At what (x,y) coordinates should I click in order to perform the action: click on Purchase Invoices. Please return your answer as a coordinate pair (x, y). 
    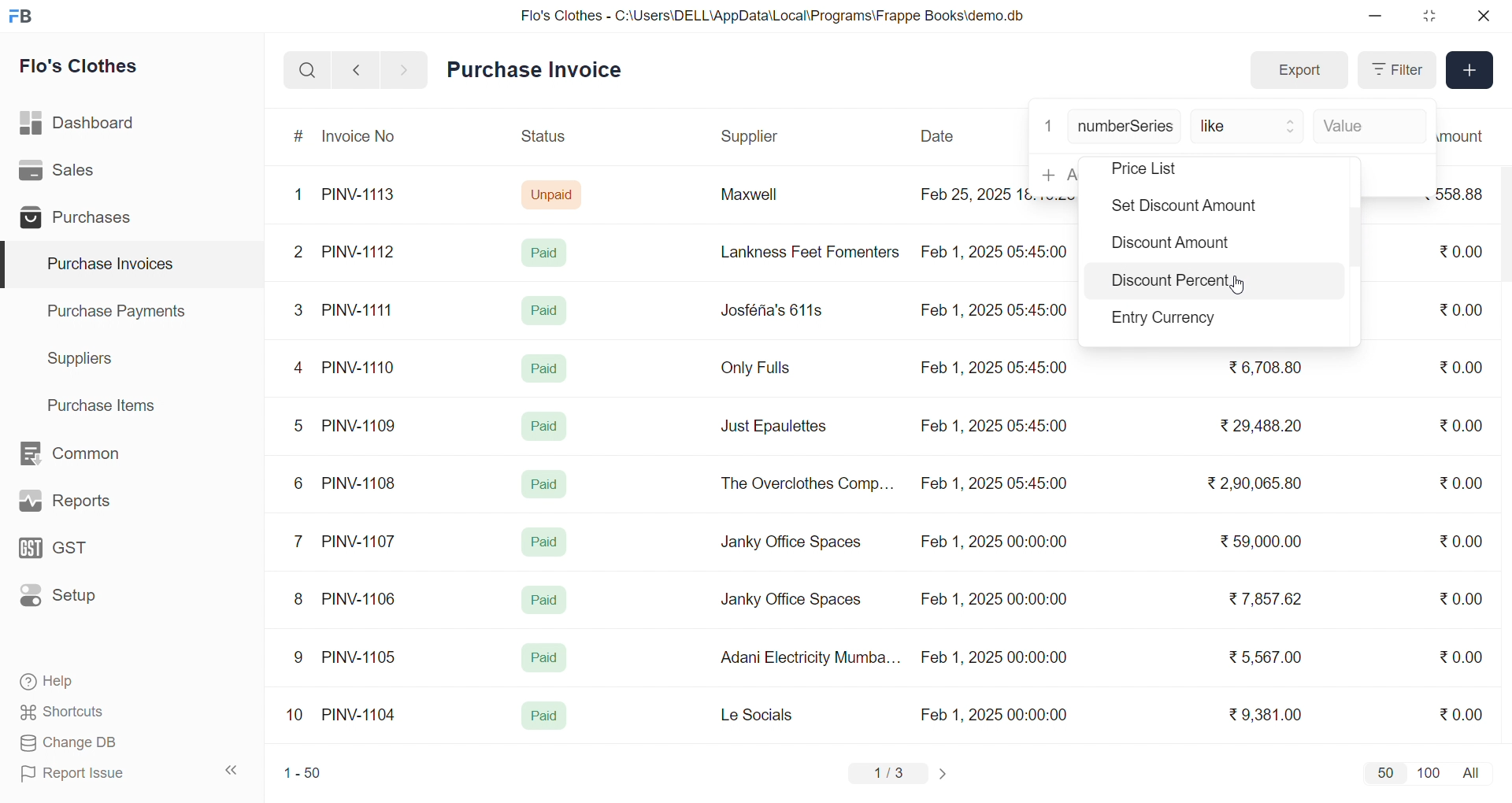
    Looking at the image, I should click on (108, 265).